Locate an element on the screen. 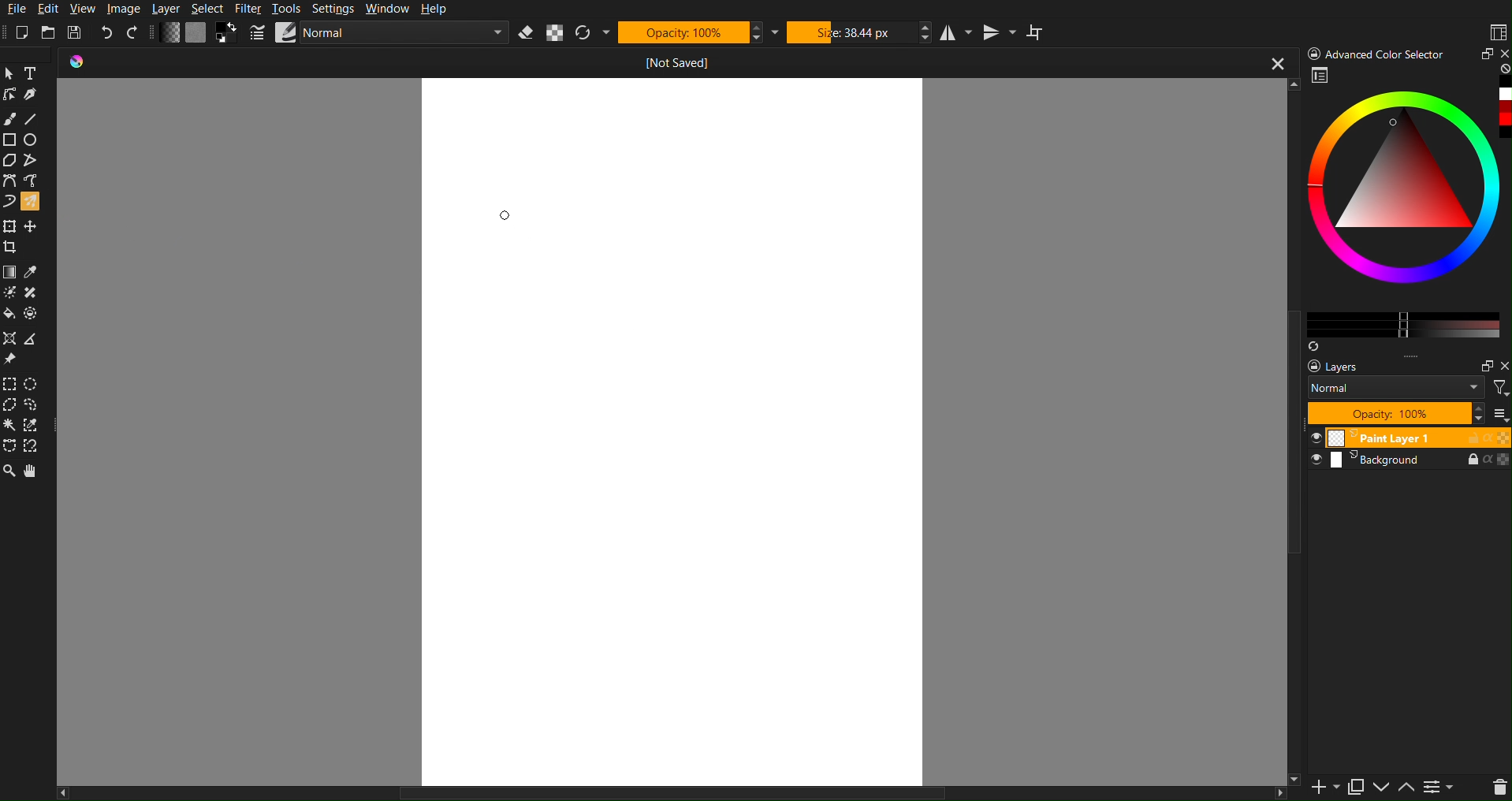 The height and width of the screenshot is (801, 1512). layers is located at coordinates (1346, 367).